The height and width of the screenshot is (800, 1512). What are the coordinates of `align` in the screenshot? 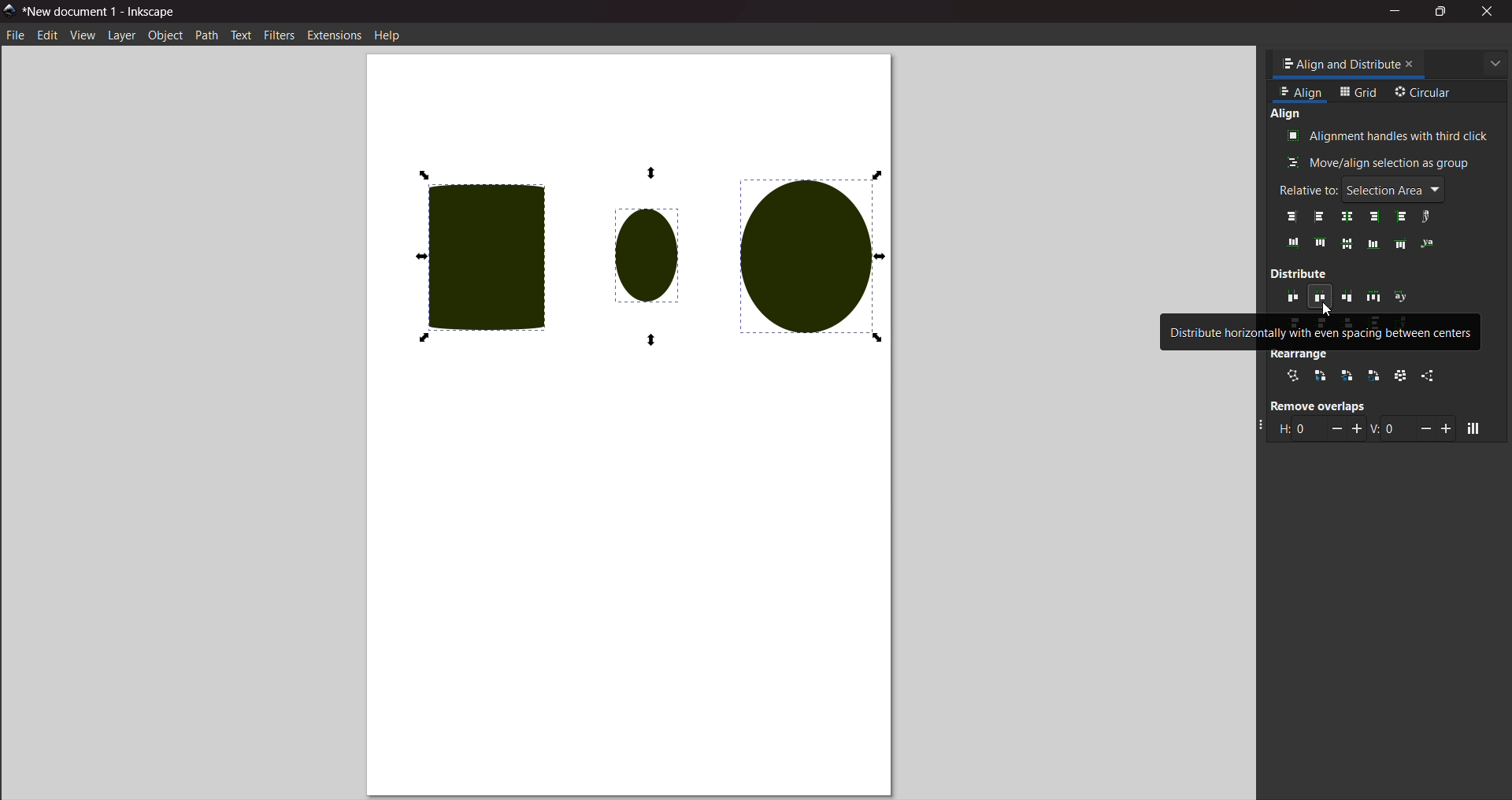 It's located at (1301, 94).